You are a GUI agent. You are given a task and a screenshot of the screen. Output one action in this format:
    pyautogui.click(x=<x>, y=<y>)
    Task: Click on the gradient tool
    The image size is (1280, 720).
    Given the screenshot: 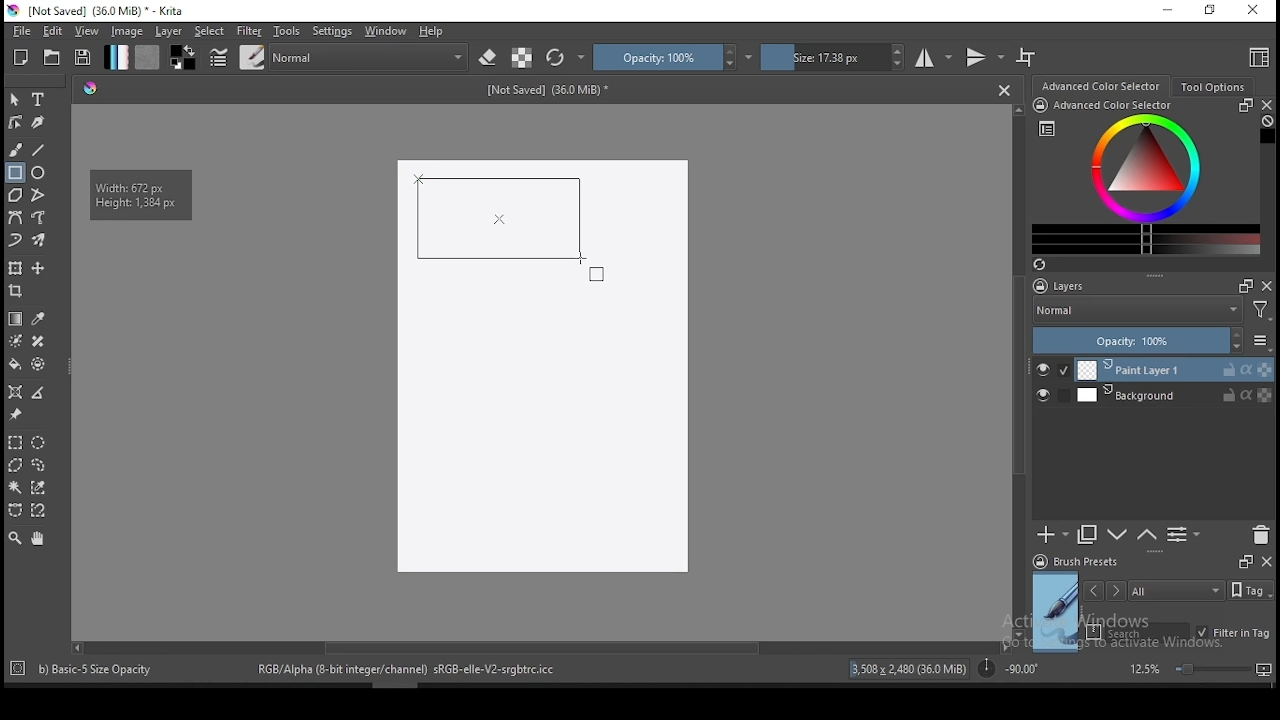 What is the action you would take?
    pyautogui.click(x=16, y=319)
    